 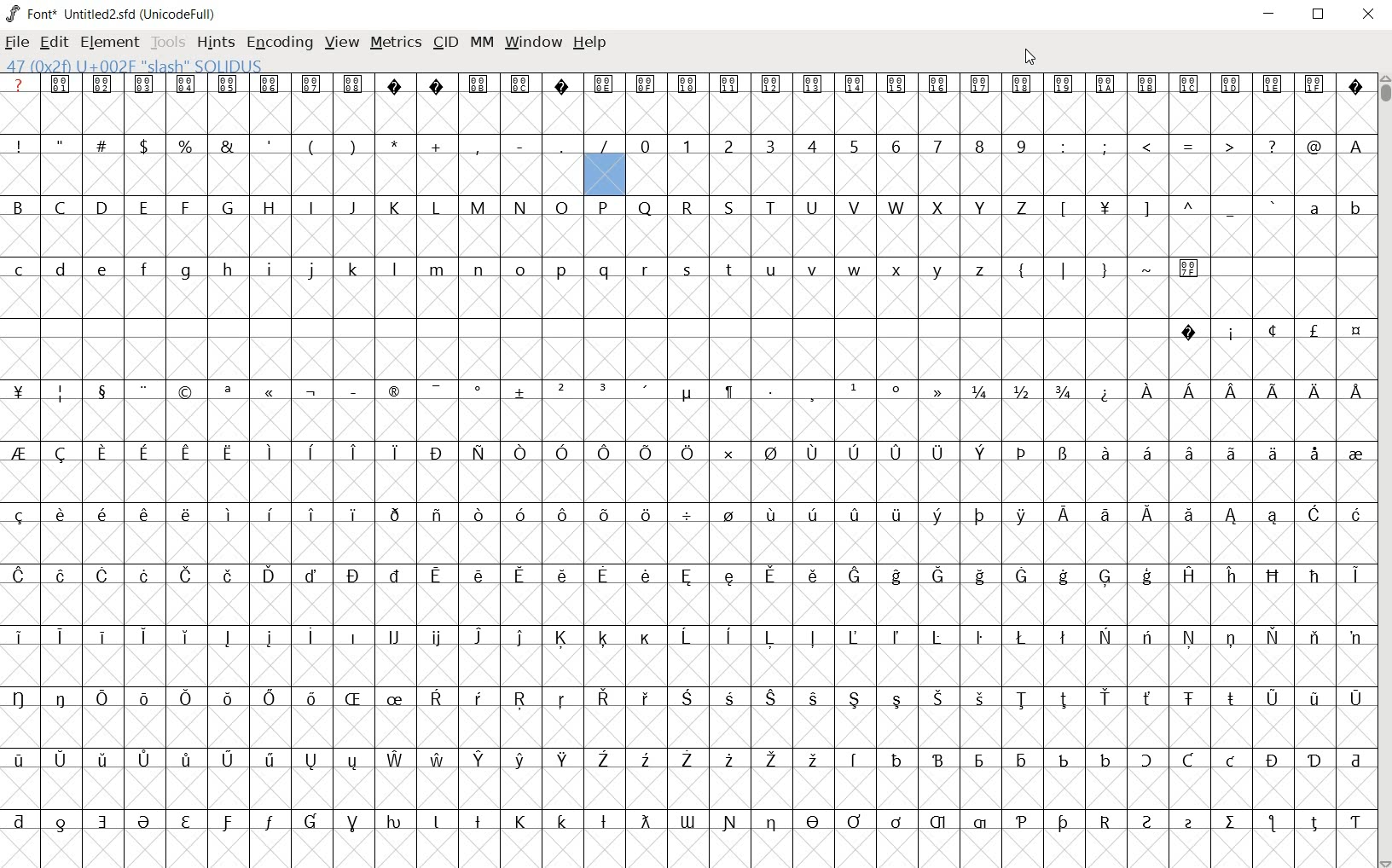 I want to click on empty cells, so click(x=684, y=726).